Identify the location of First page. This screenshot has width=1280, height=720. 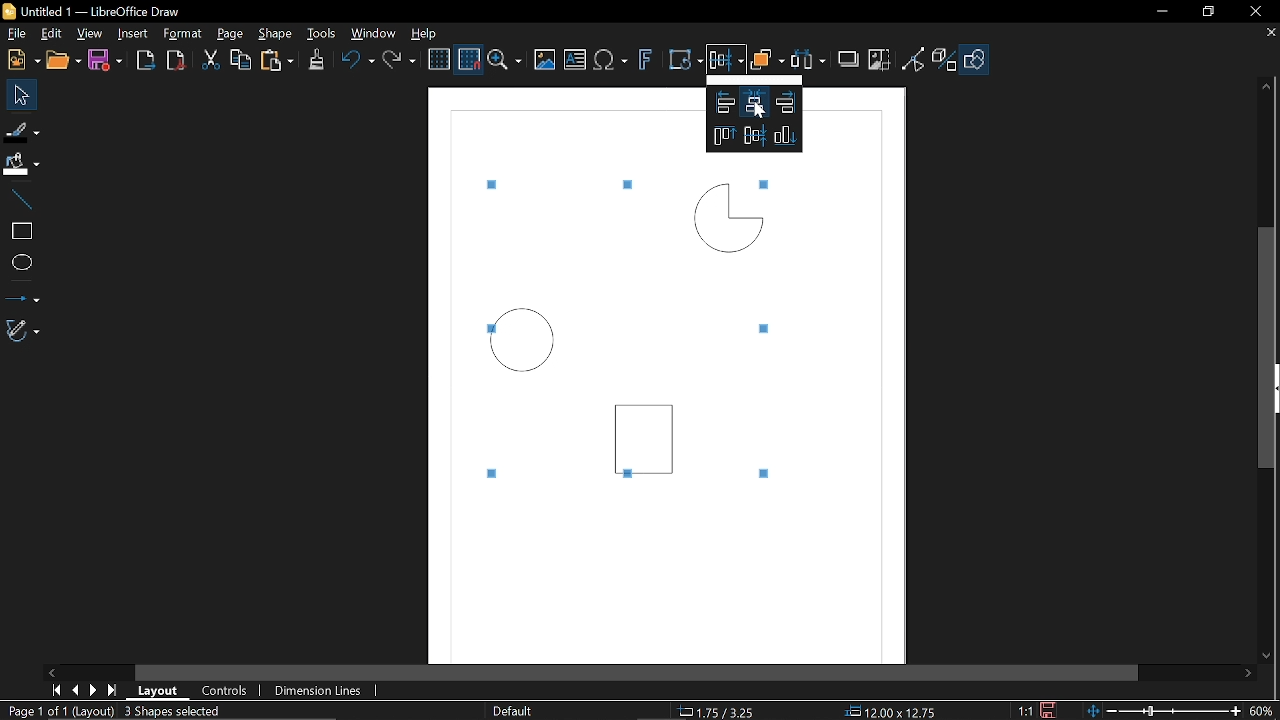
(56, 691).